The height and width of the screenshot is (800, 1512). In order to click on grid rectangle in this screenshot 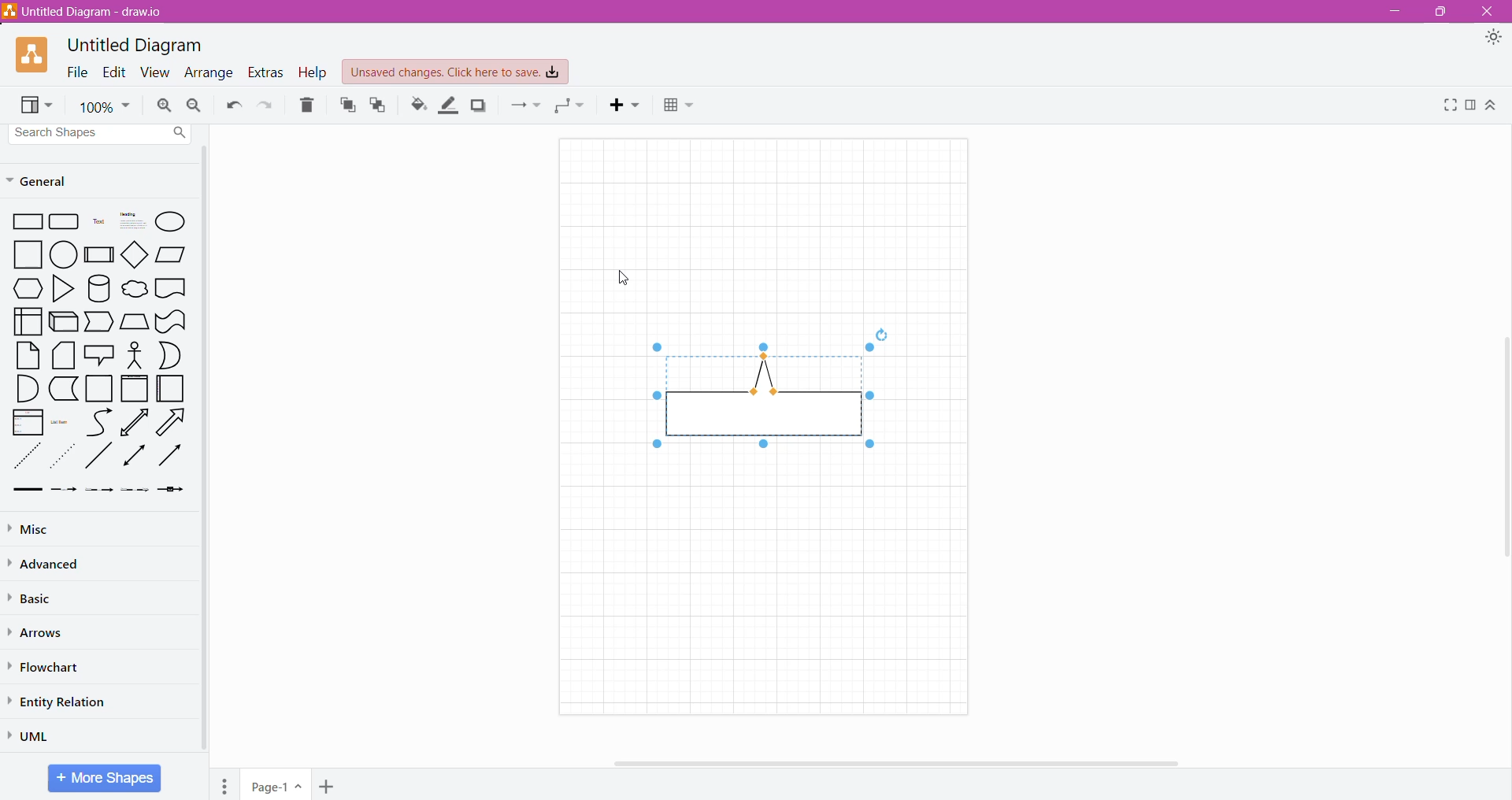, I will do `click(65, 223)`.